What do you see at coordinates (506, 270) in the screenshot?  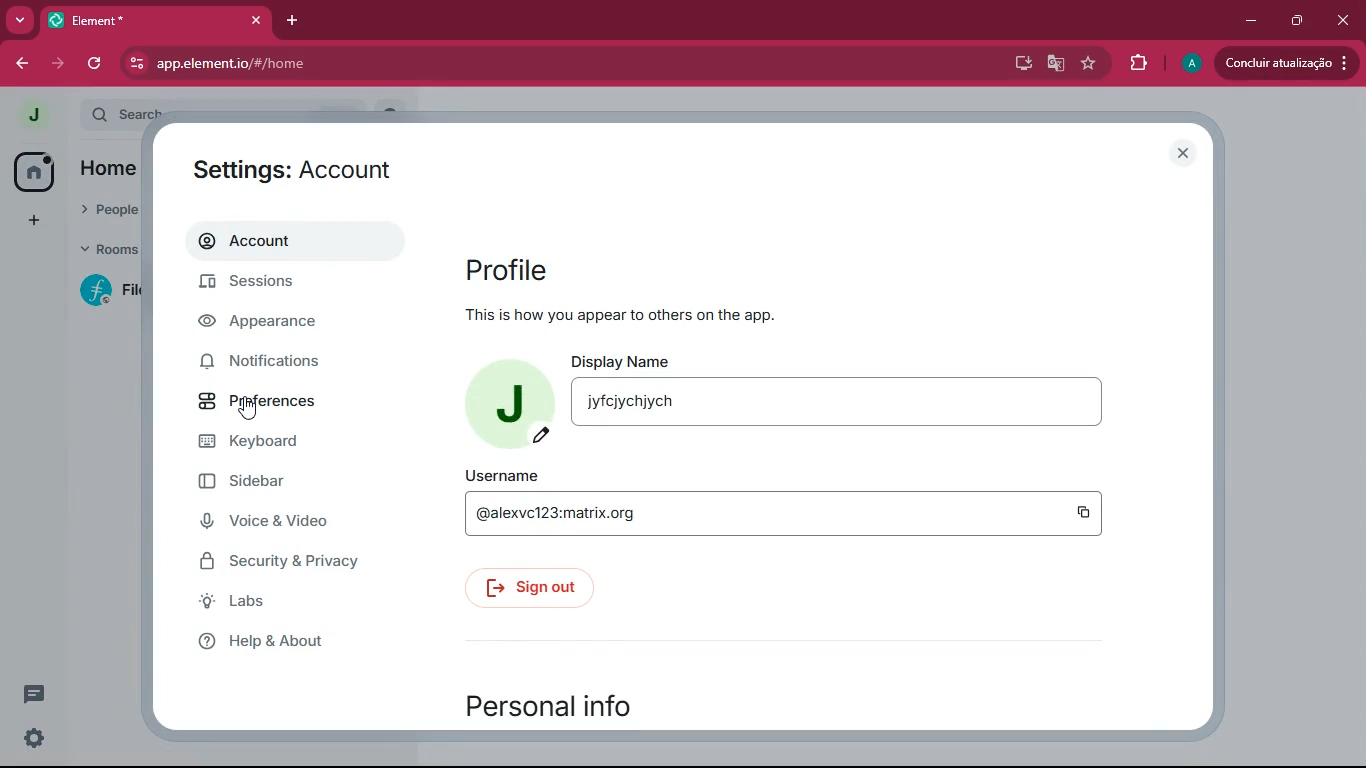 I see `profile` at bounding box center [506, 270].